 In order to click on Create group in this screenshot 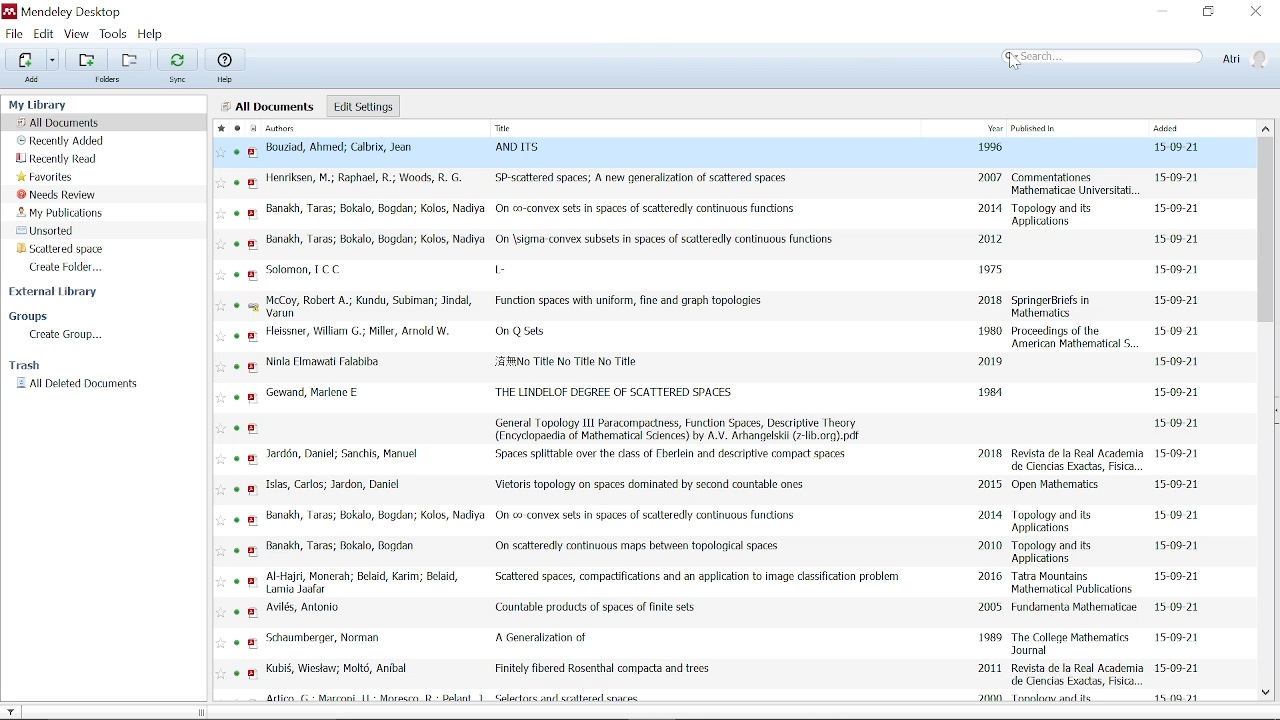, I will do `click(68, 335)`.